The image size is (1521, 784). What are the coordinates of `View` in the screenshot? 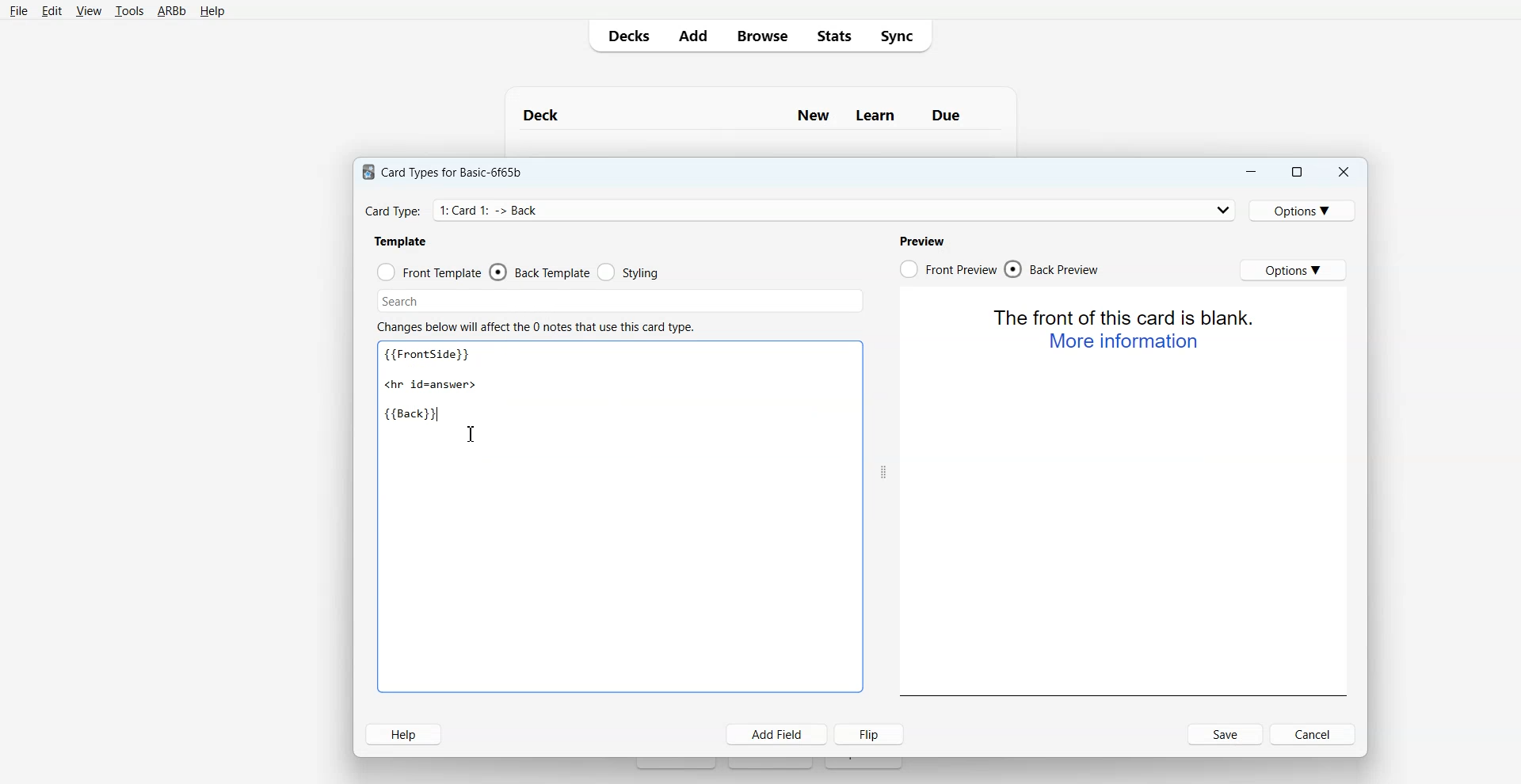 It's located at (87, 10).